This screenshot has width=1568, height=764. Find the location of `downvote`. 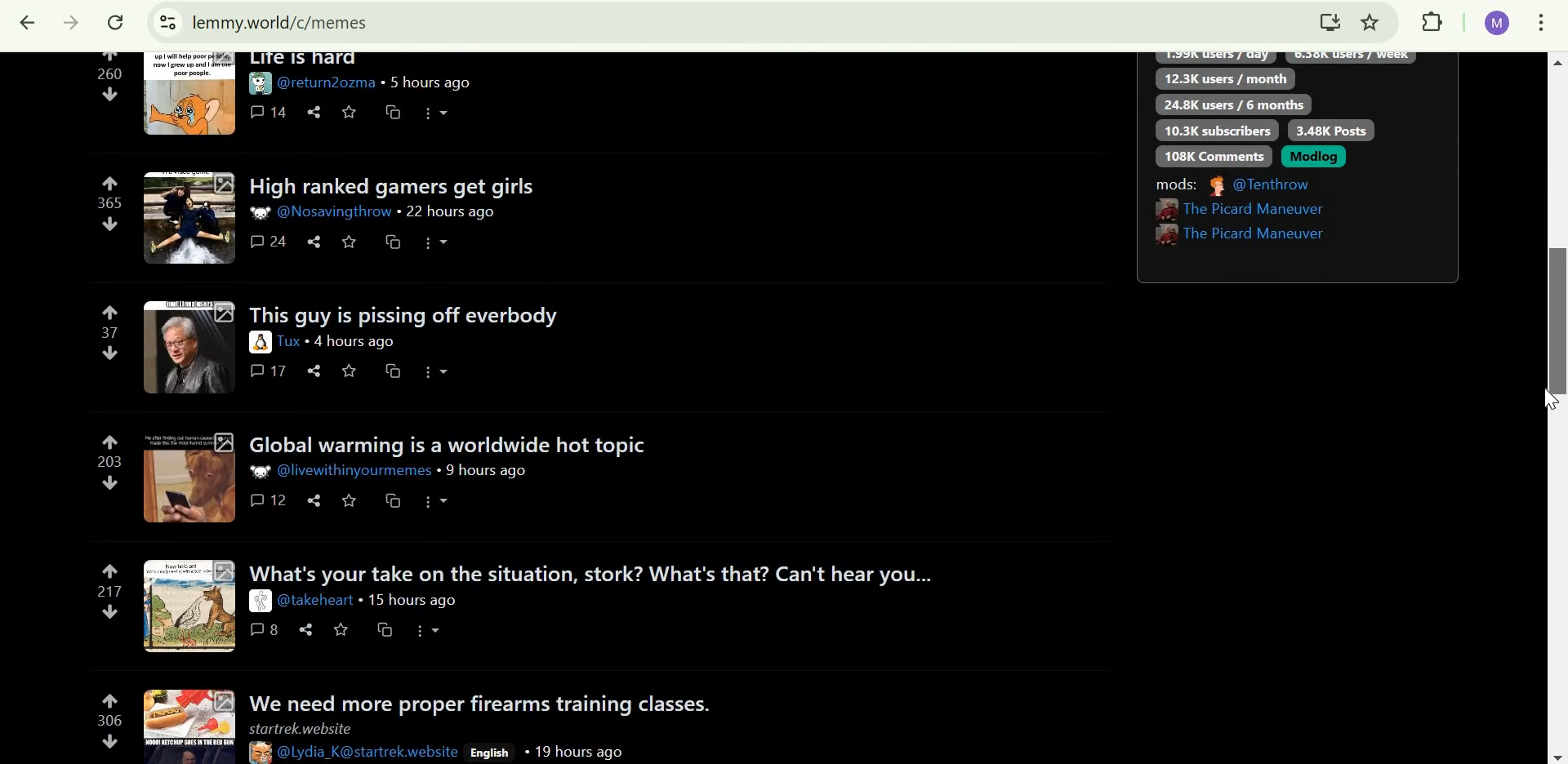

downvote is located at coordinates (110, 95).